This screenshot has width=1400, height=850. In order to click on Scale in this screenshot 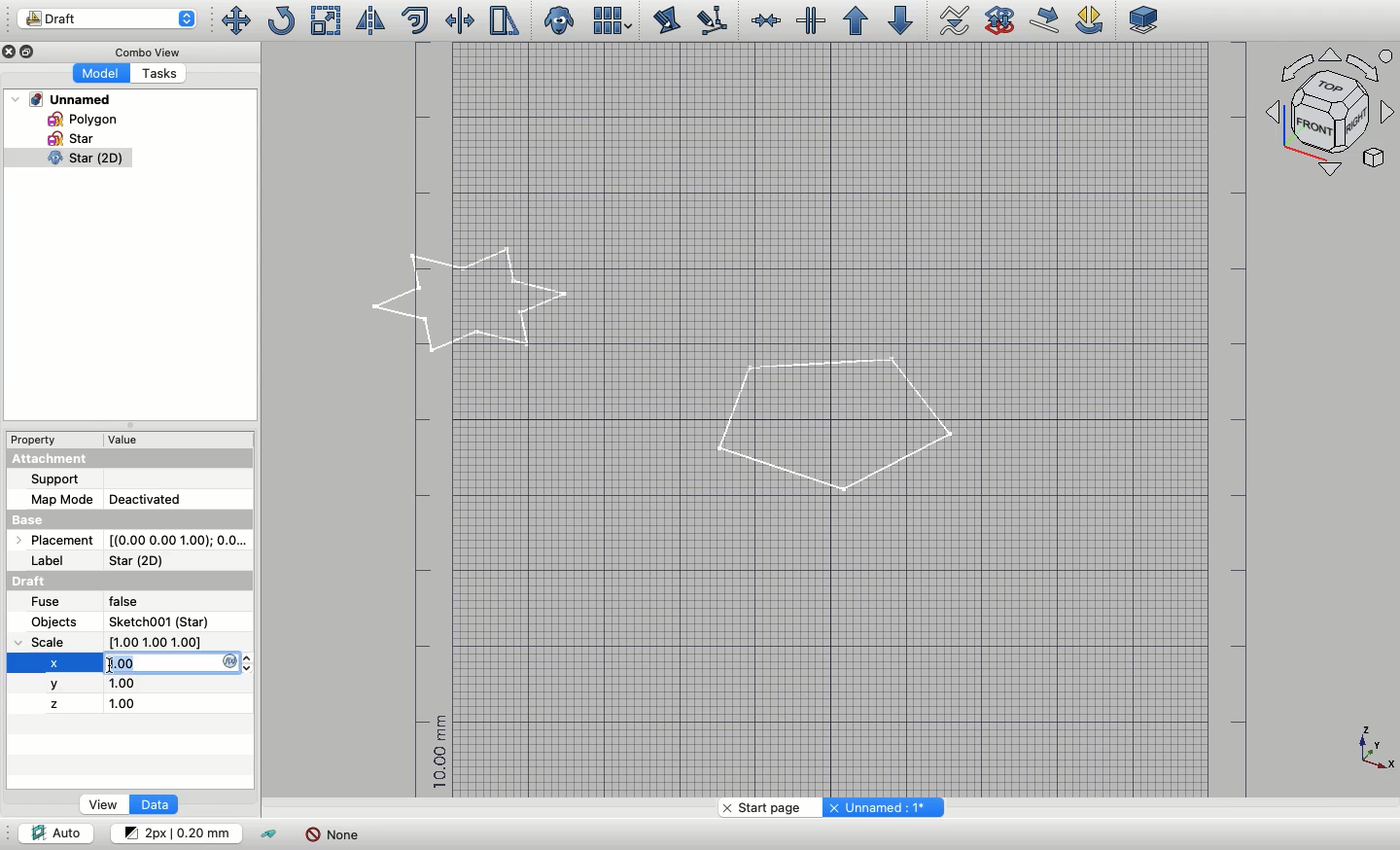, I will do `click(52, 642)`.